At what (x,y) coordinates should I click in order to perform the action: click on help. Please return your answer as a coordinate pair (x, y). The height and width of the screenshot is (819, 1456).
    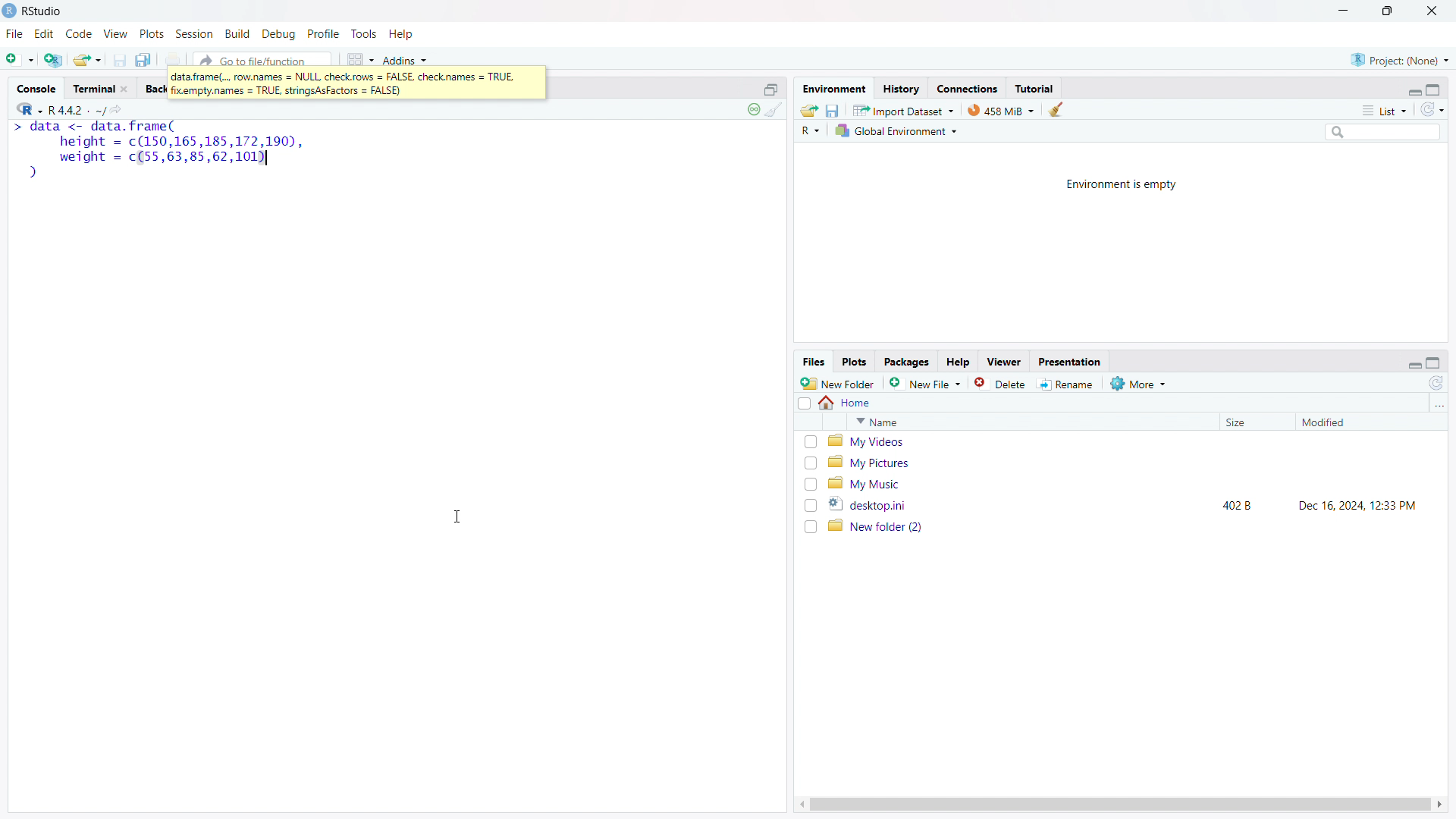
    Looking at the image, I should click on (402, 34).